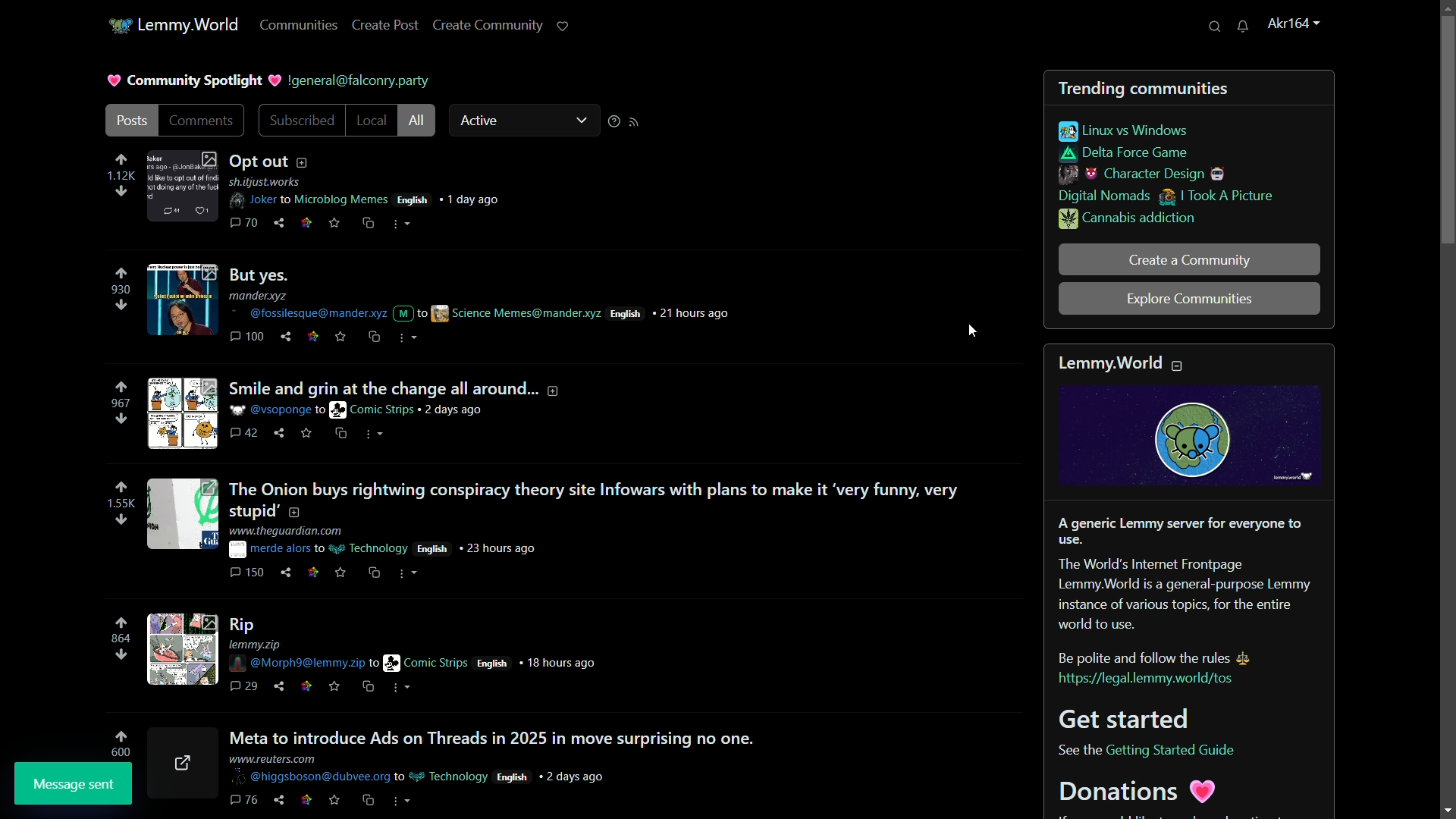 The height and width of the screenshot is (819, 1456). I want to click on community spotlight, so click(197, 80).